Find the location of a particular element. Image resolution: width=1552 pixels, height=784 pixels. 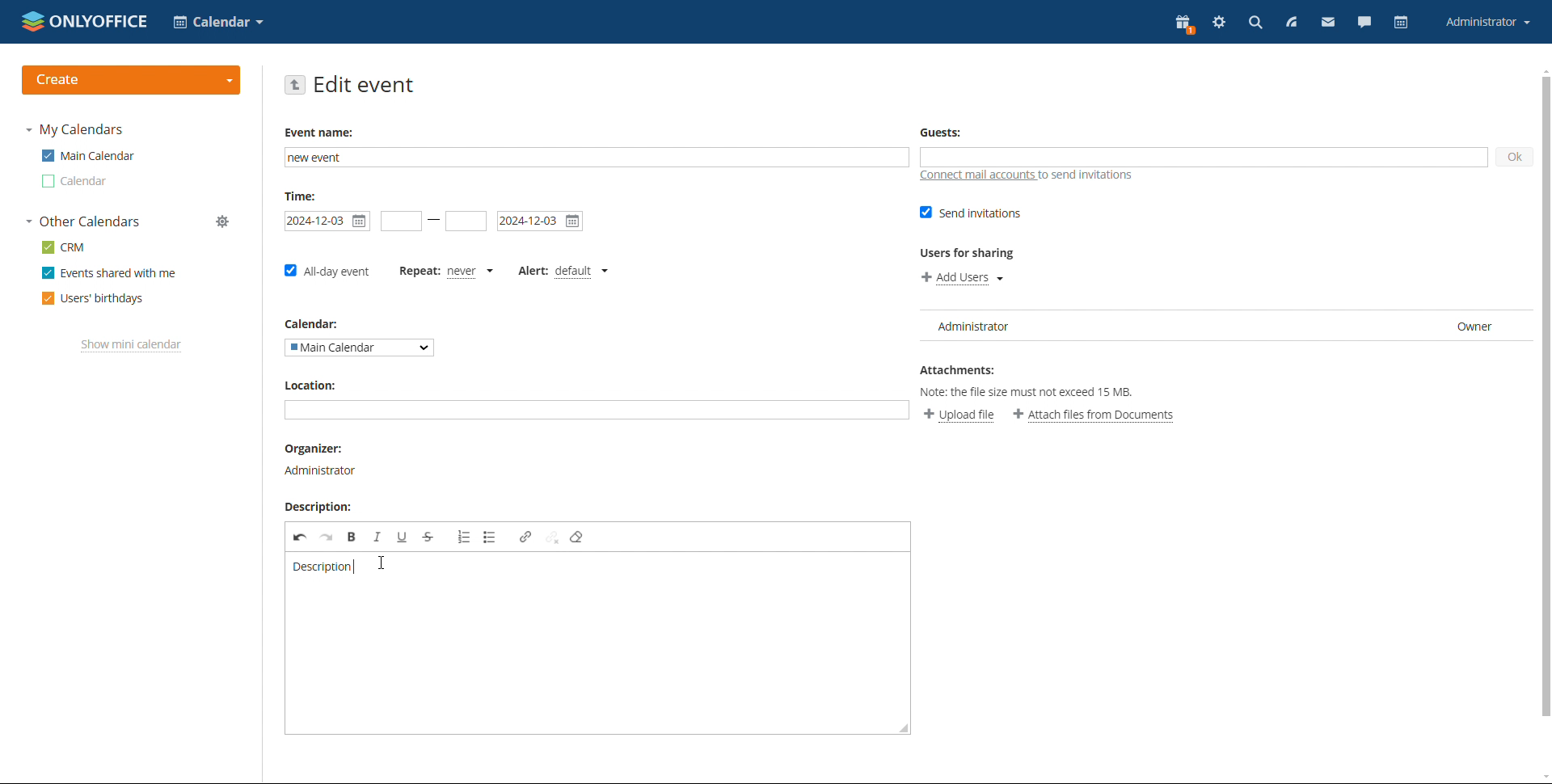

scroll down is located at coordinates (1542, 778).